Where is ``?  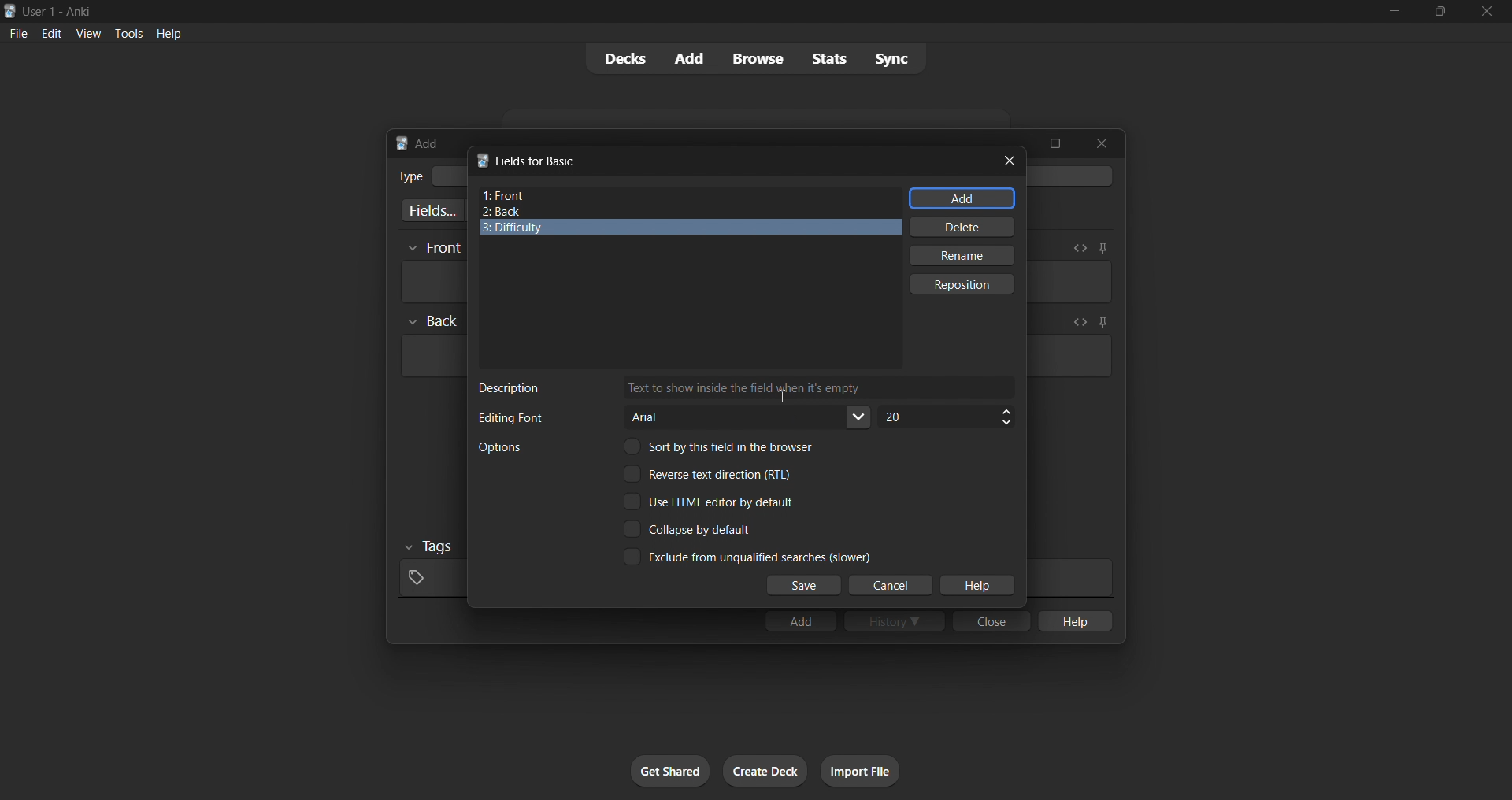
 is located at coordinates (433, 321).